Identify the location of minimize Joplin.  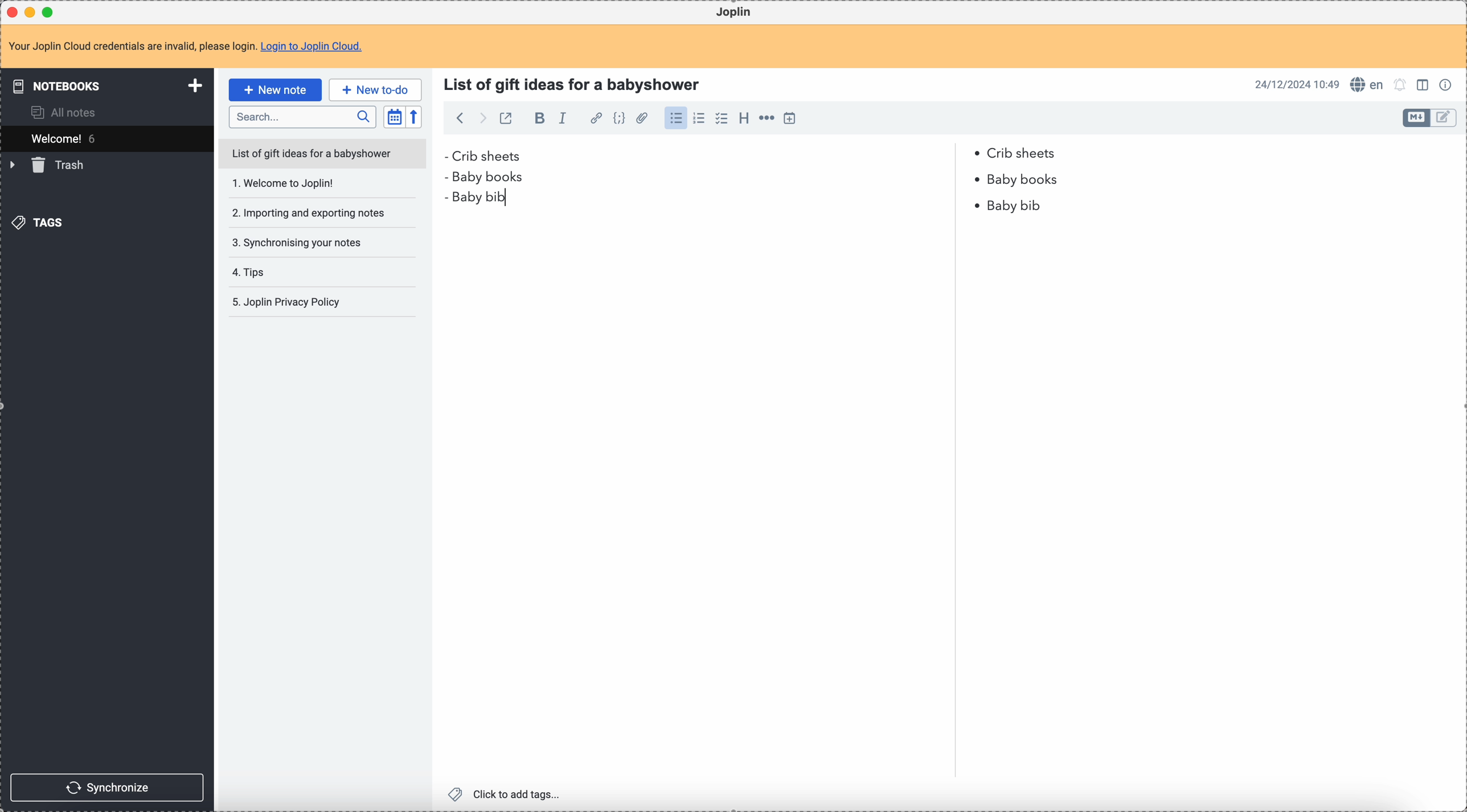
(32, 12).